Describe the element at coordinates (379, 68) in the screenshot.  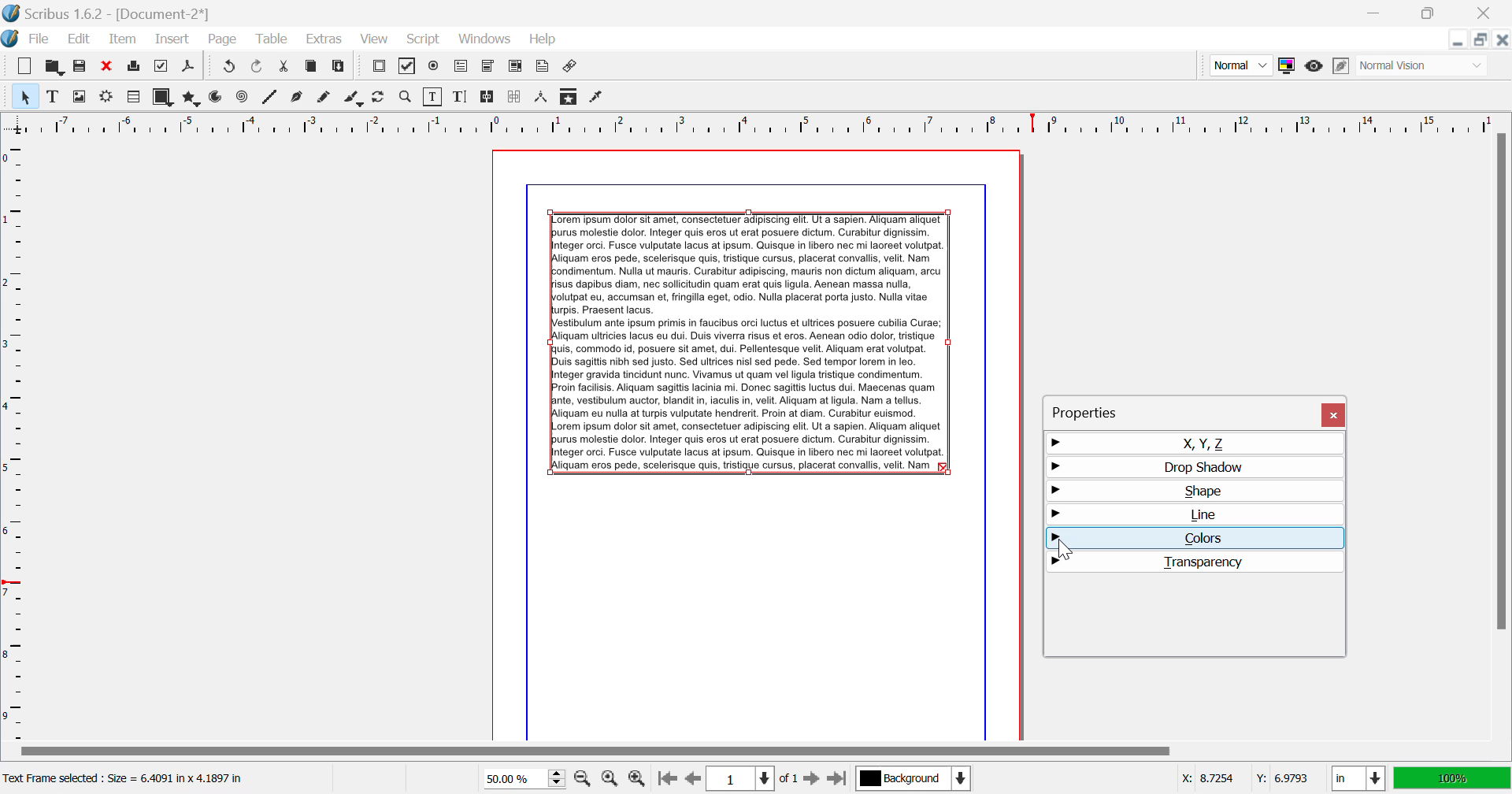
I see `Pdf Push Button` at that location.